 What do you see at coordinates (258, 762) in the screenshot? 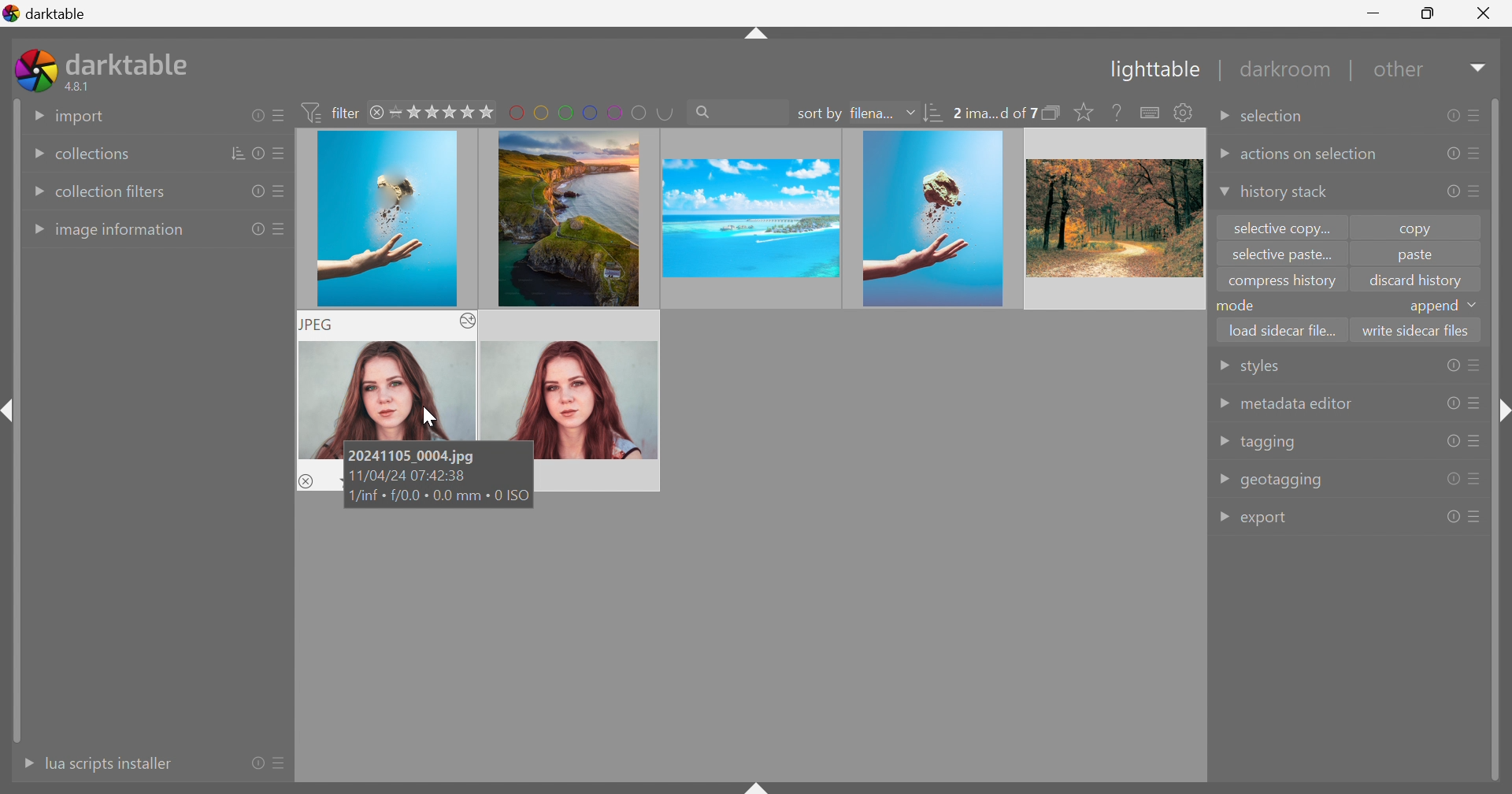
I see `reset` at bounding box center [258, 762].